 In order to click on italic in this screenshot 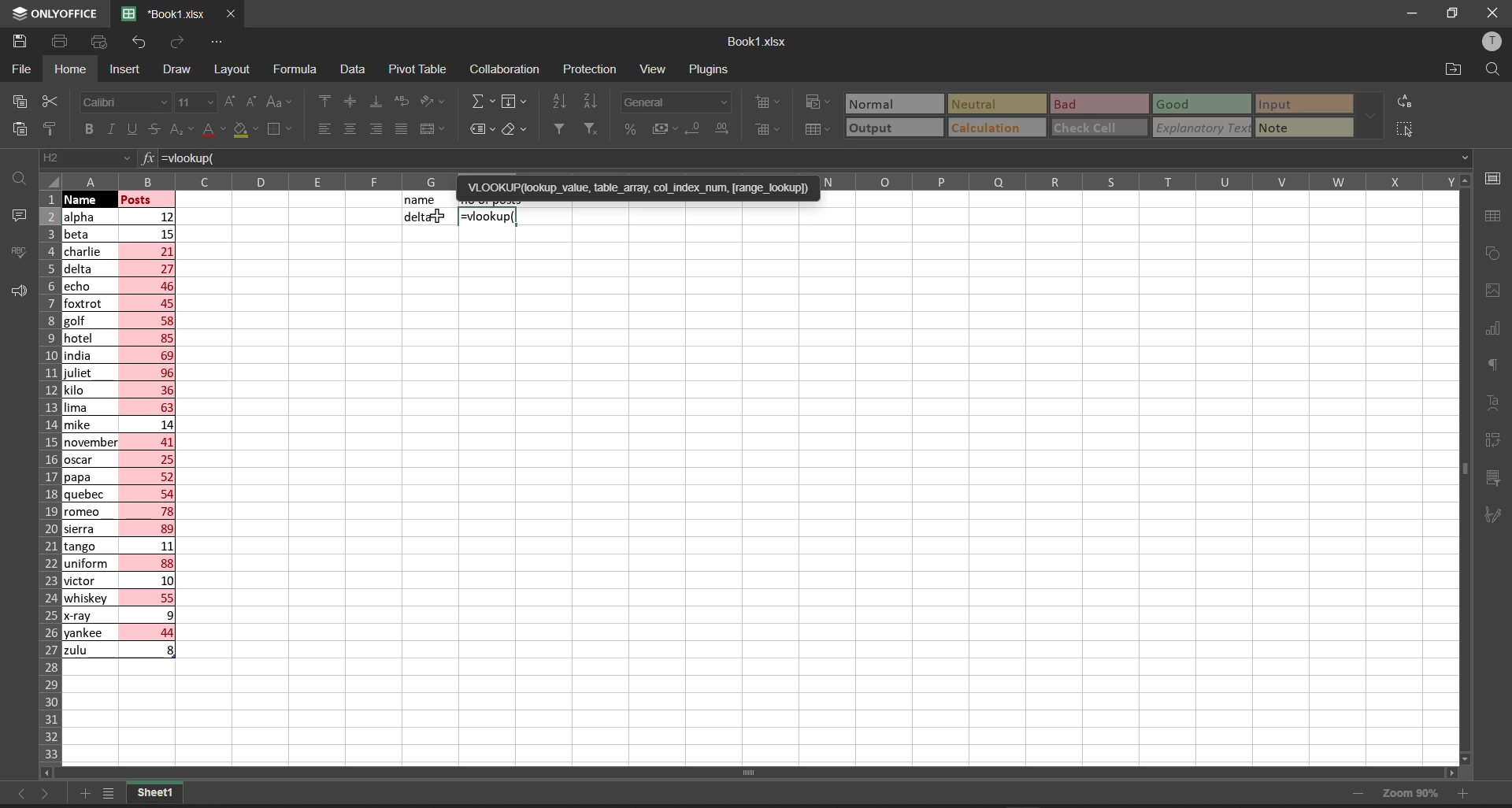, I will do `click(109, 129)`.